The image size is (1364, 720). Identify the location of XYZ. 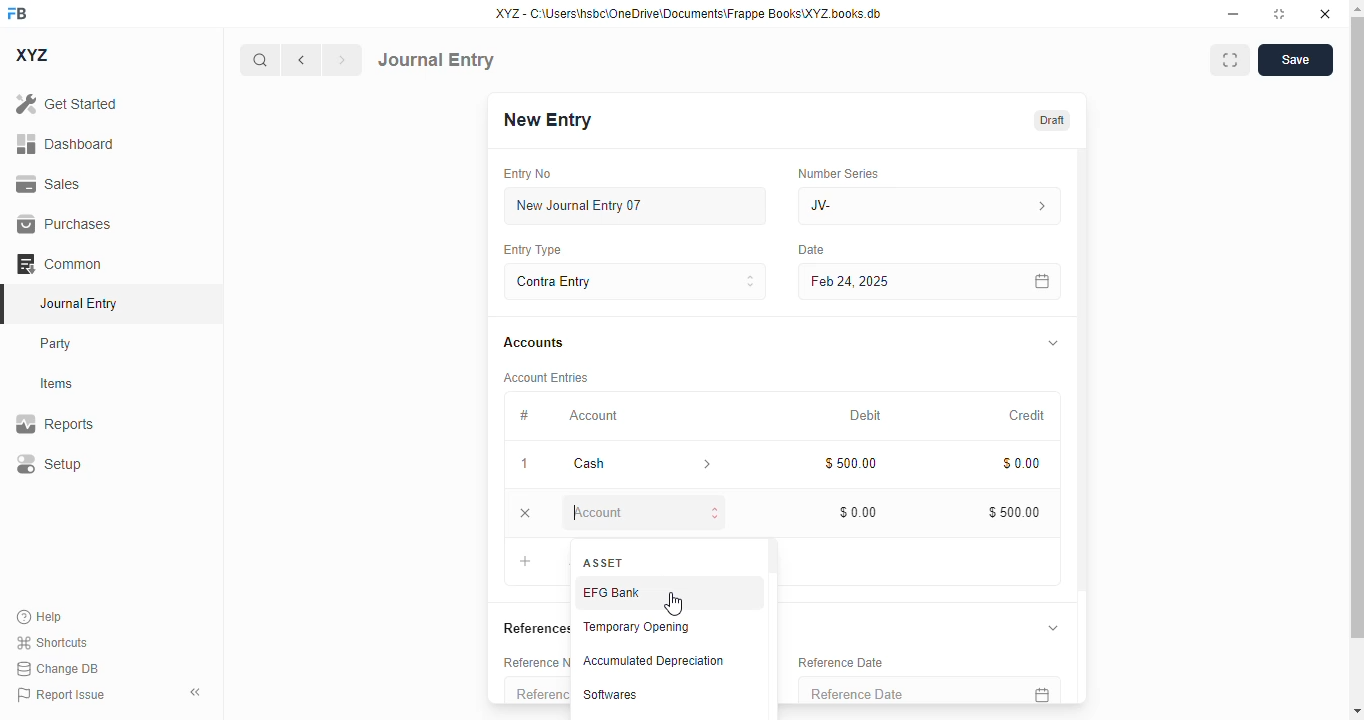
(31, 55).